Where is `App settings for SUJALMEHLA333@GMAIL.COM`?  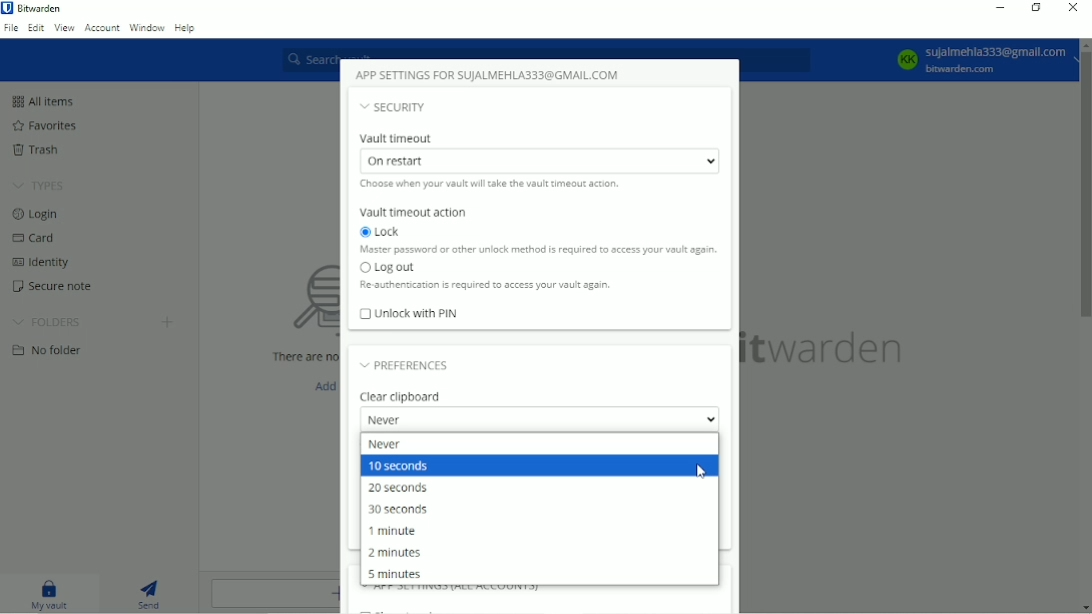 App settings for SUJALMEHLA333@GMAIL.COM is located at coordinates (494, 75).